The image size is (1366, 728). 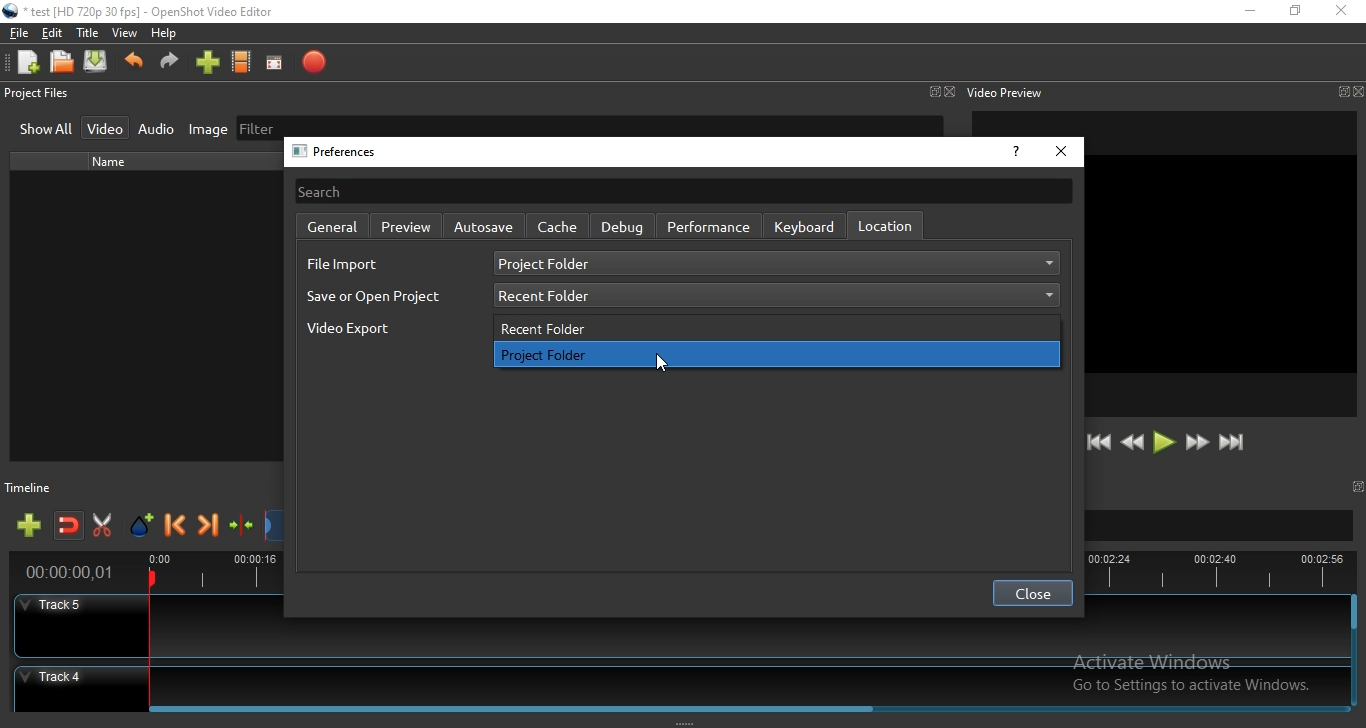 I want to click on Enable razor, so click(x=106, y=526).